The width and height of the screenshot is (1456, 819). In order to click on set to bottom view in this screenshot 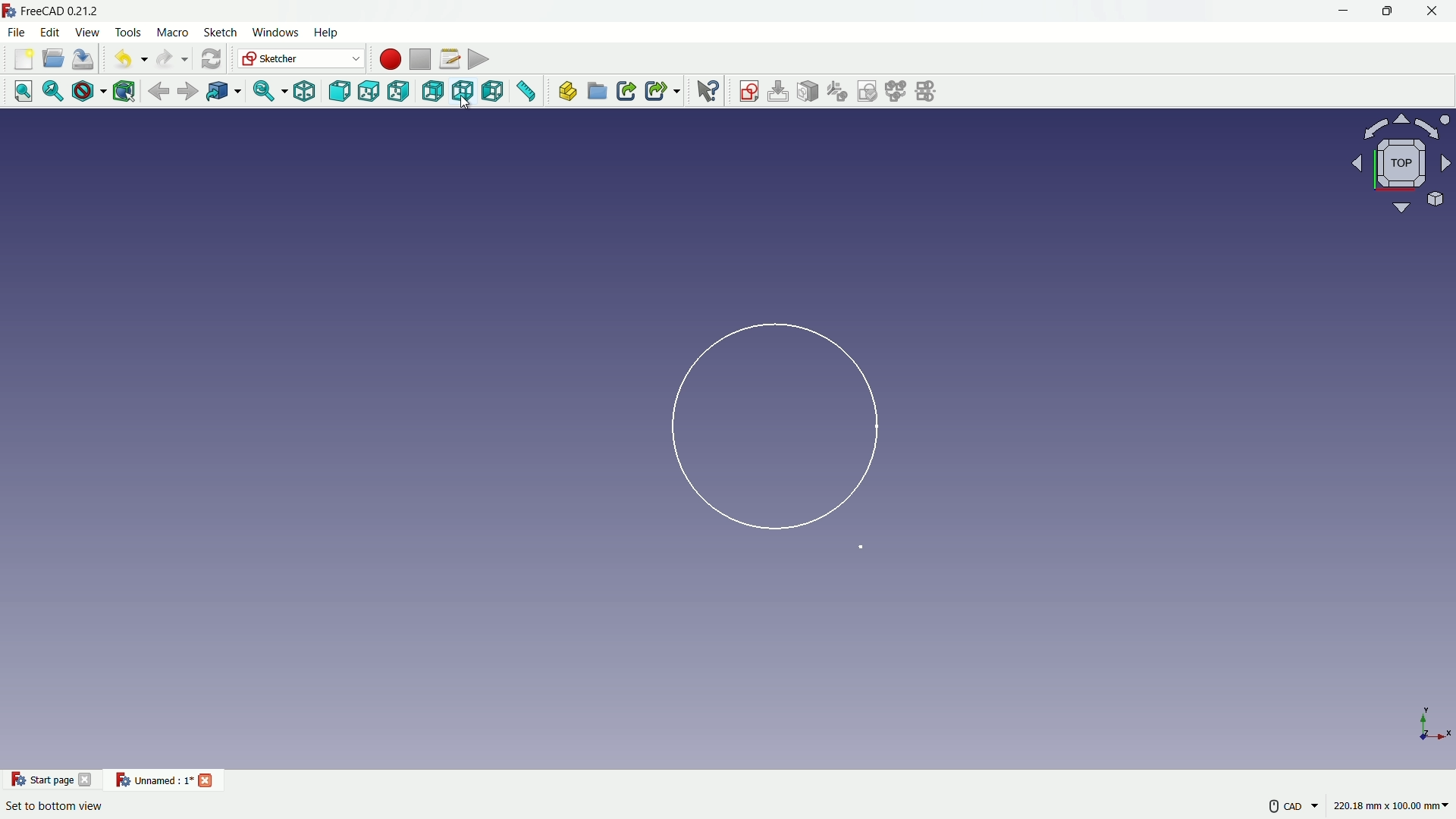, I will do `click(56, 806)`.